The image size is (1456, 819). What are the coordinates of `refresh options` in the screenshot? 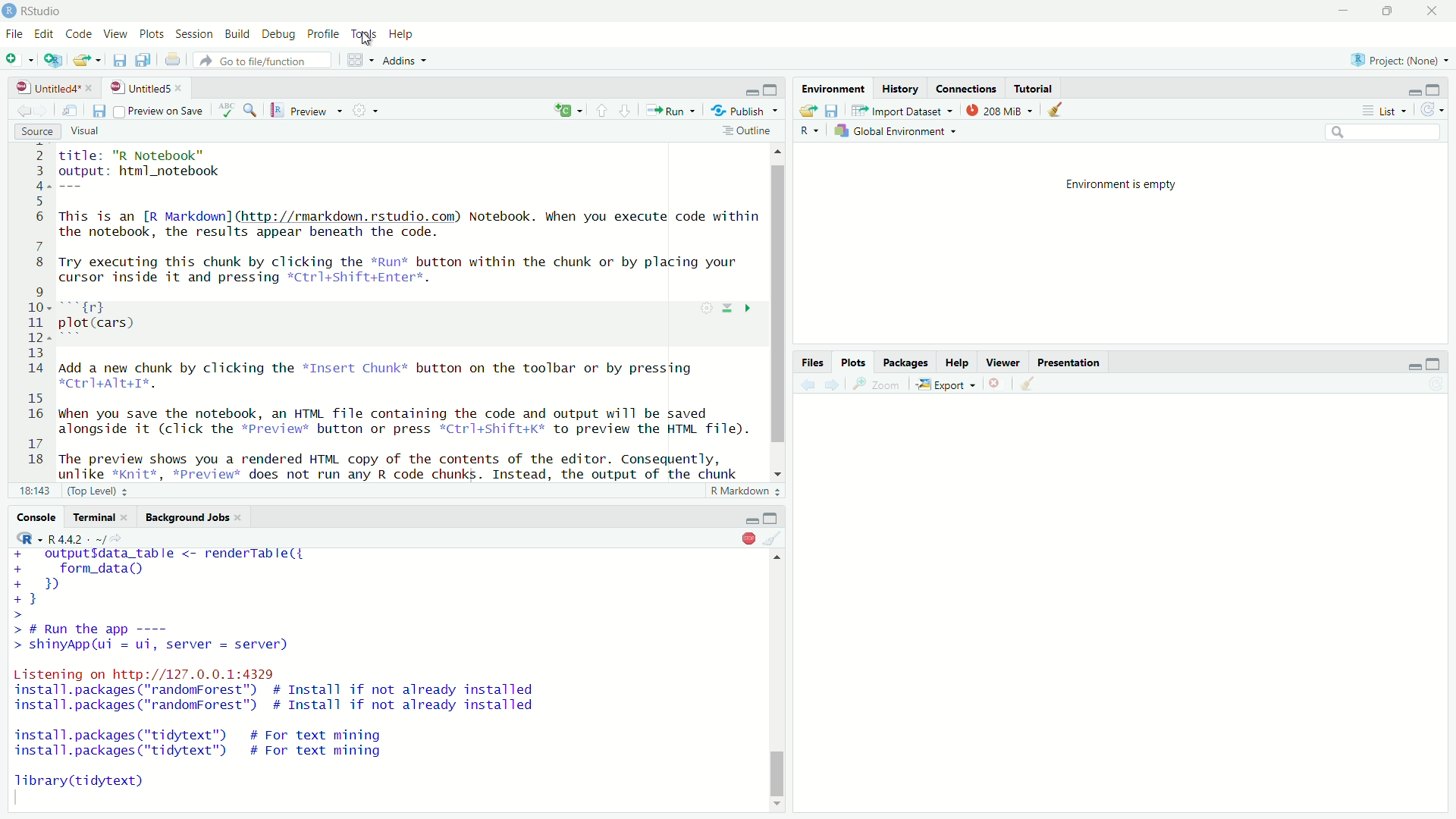 It's located at (1433, 110).